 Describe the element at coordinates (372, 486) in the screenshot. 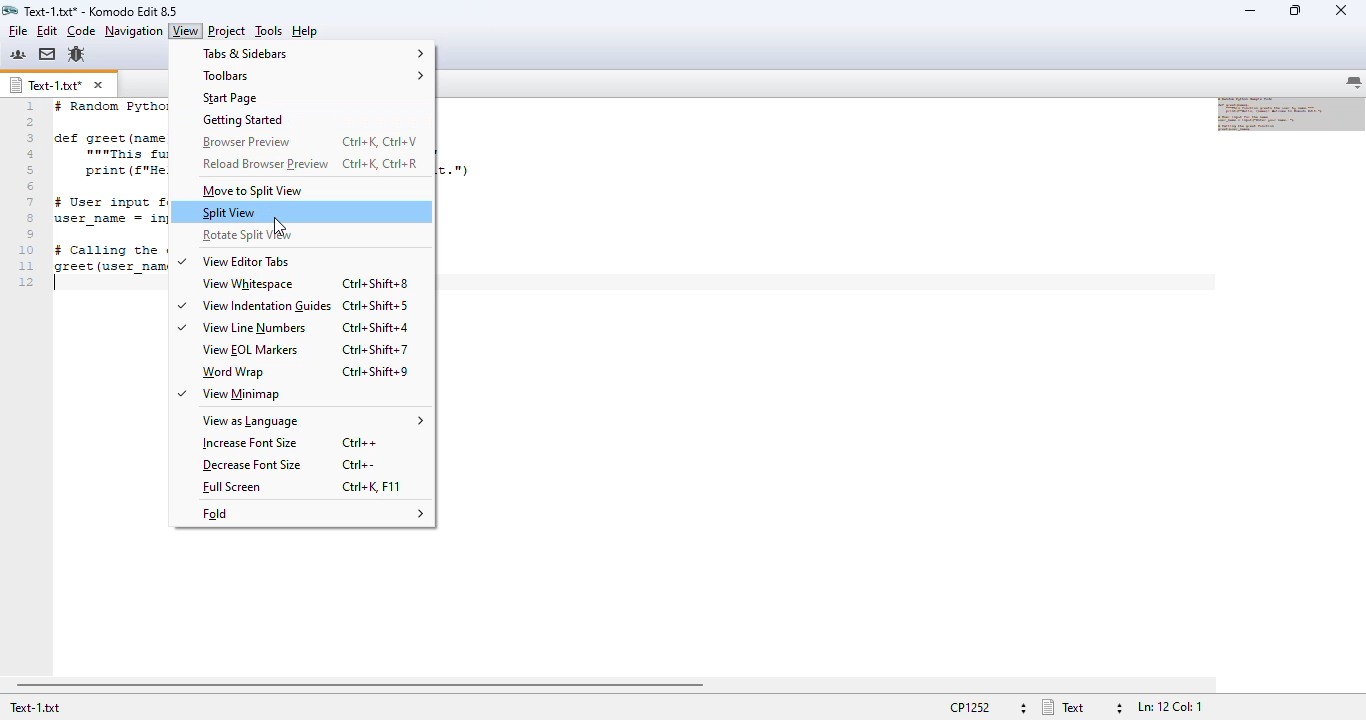

I see `shortcut for full screen` at that location.